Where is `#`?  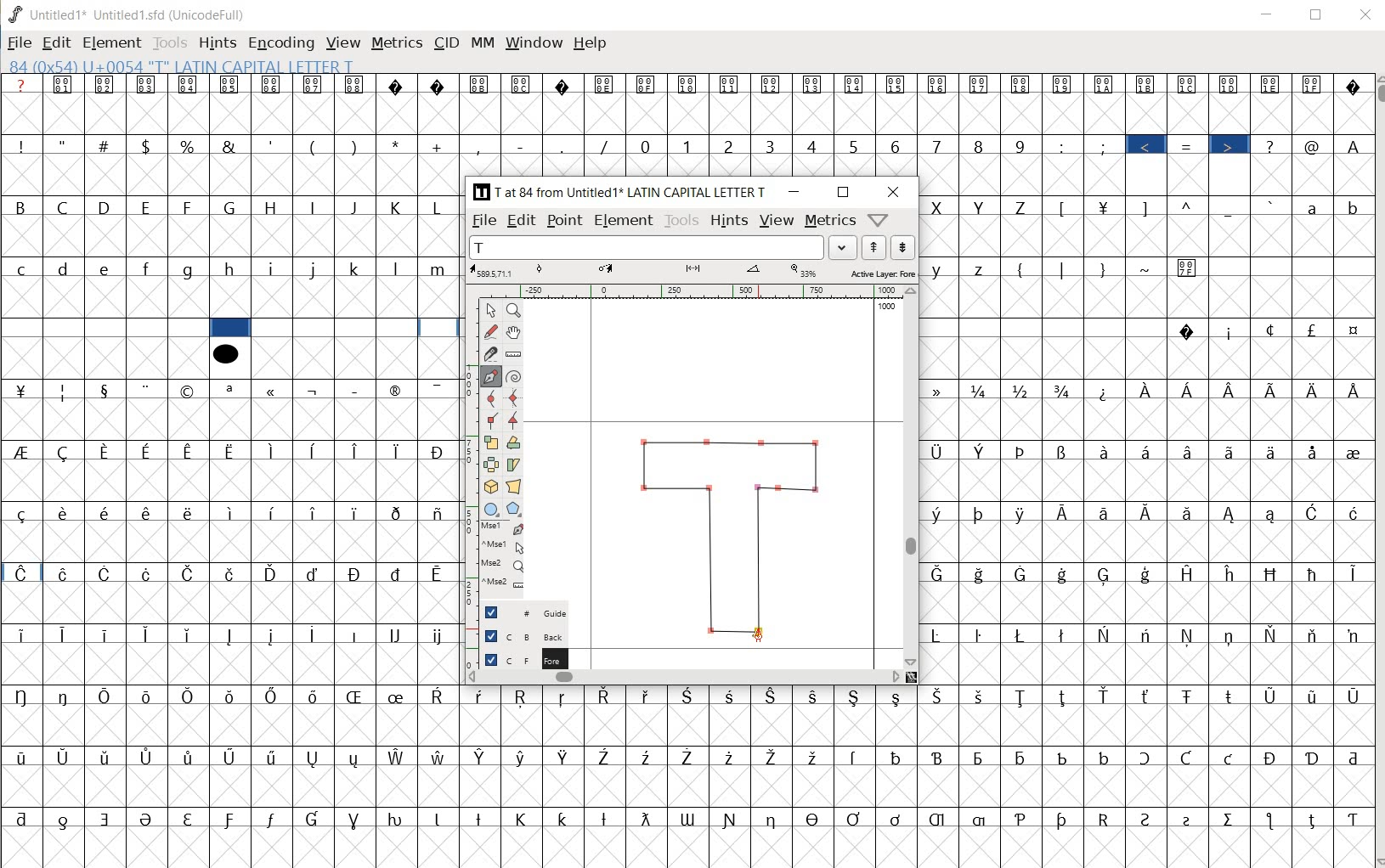
# is located at coordinates (105, 146).